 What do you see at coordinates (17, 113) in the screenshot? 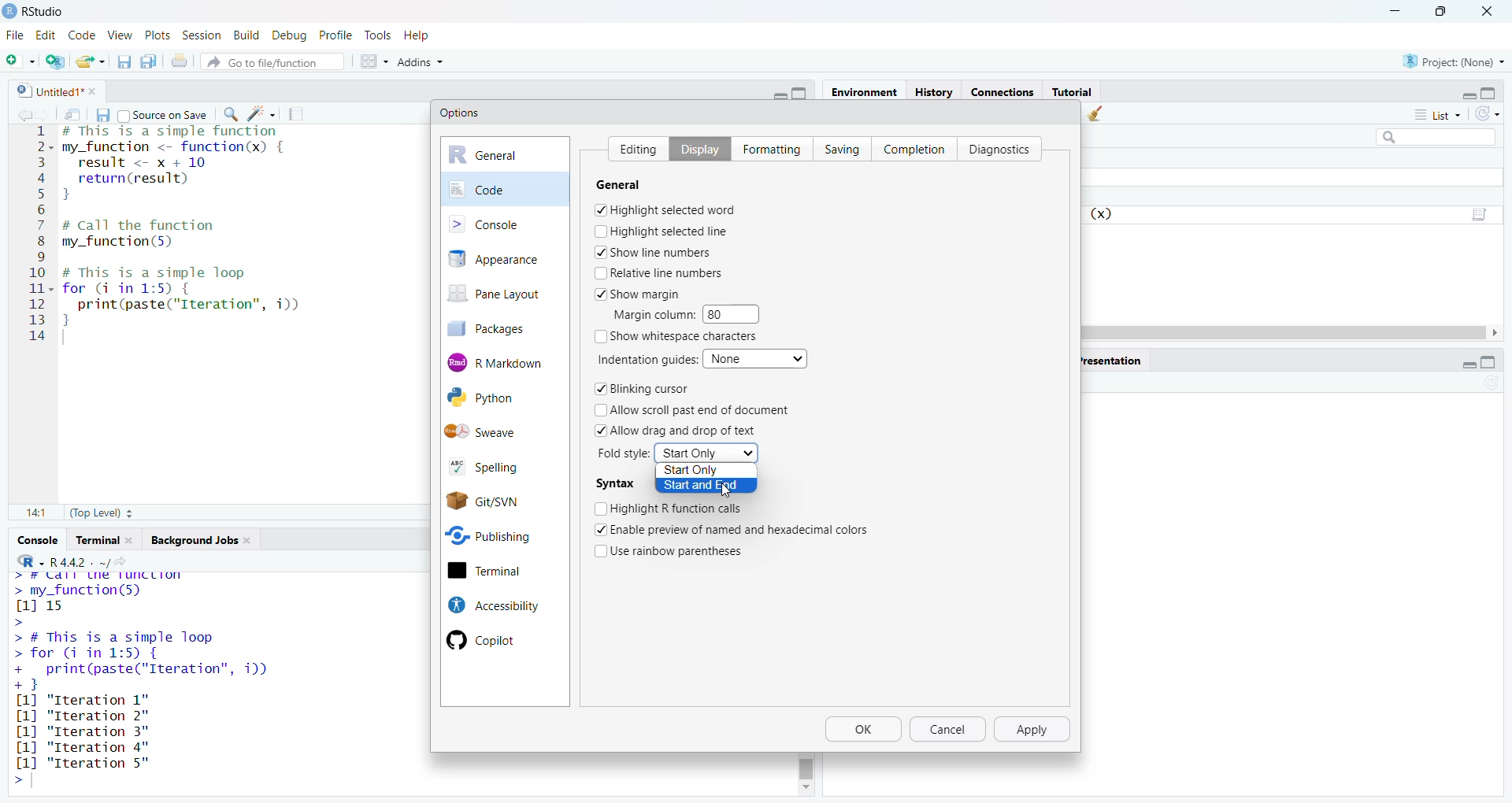
I see `go back to previous source location` at bounding box center [17, 113].